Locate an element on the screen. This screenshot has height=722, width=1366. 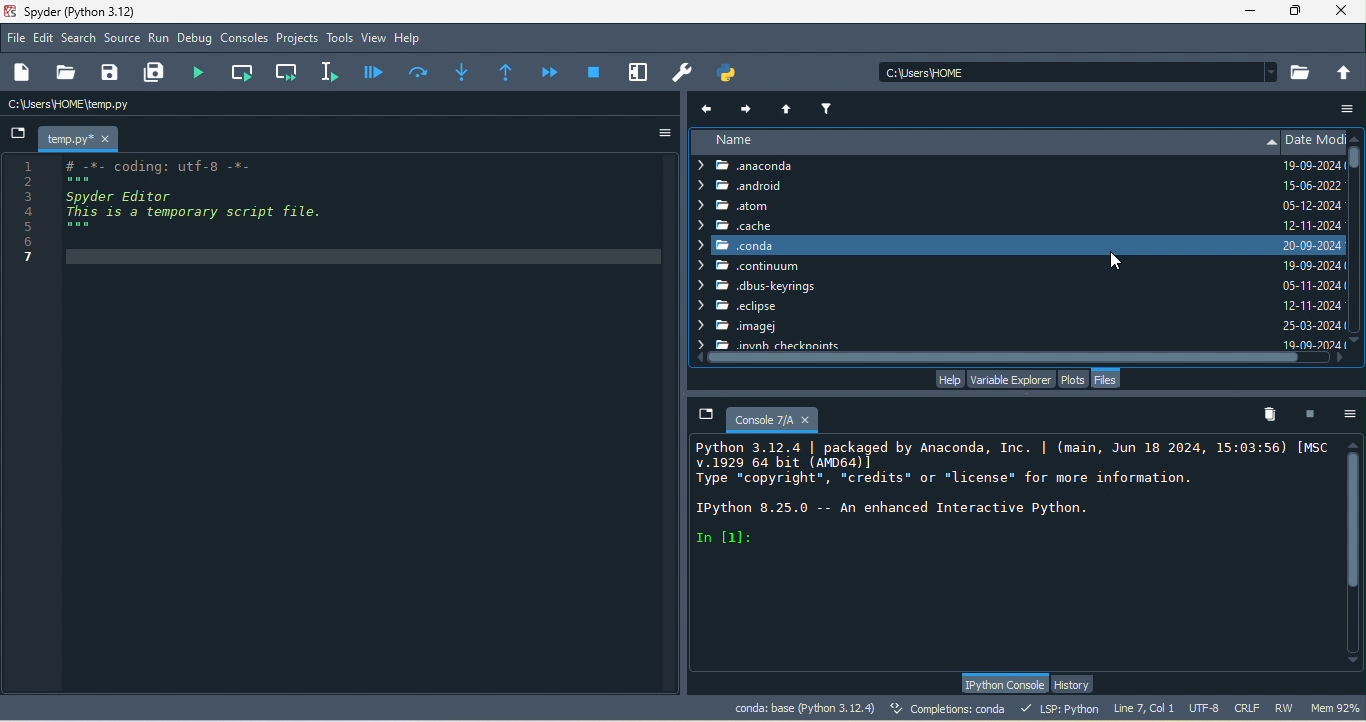
spyder (python 3.12) is located at coordinates (89, 11).